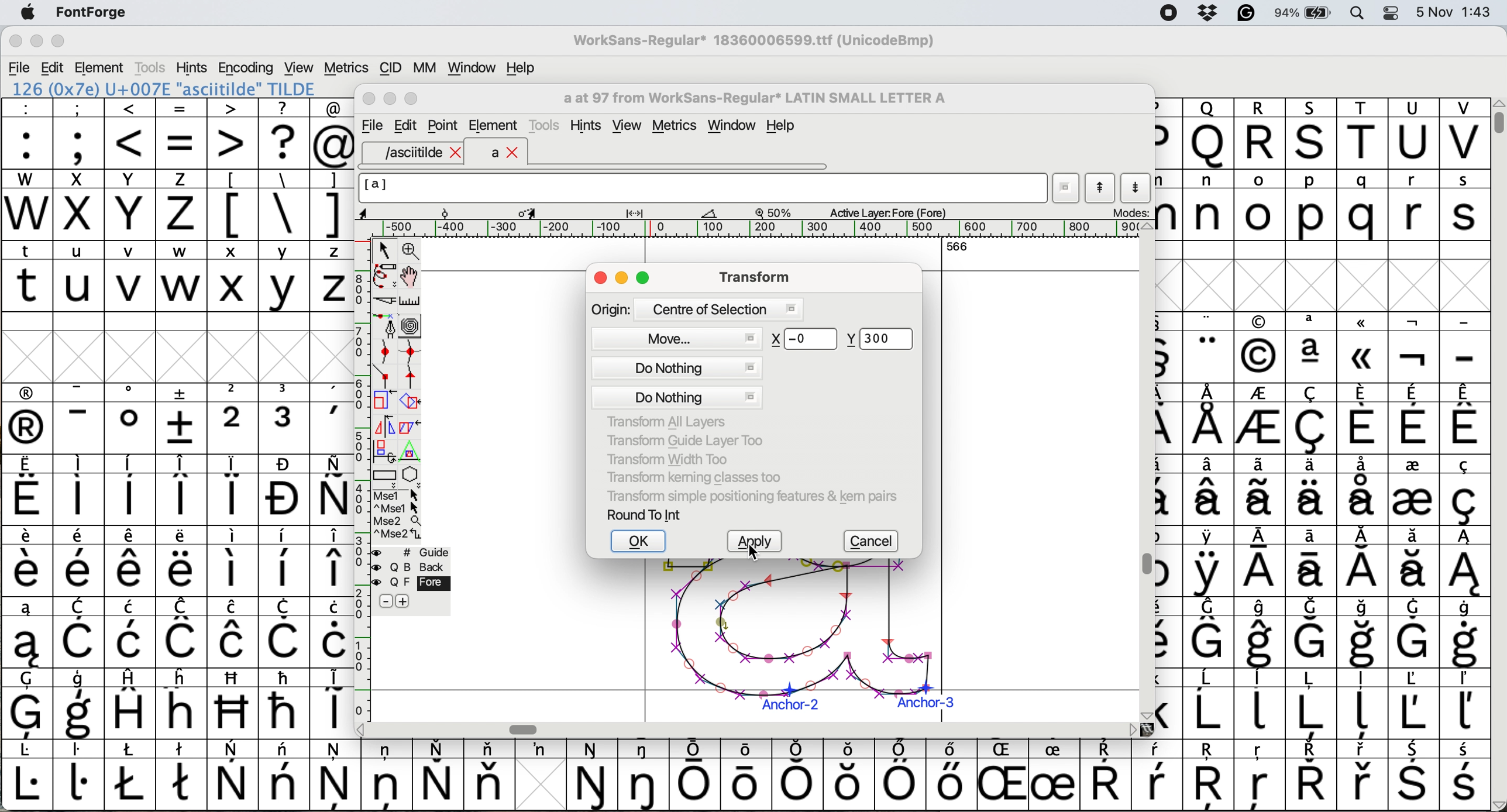 This screenshot has height=812, width=1507. Describe the element at coordinates (805, 339) in the screenshot. I see `` at that location.